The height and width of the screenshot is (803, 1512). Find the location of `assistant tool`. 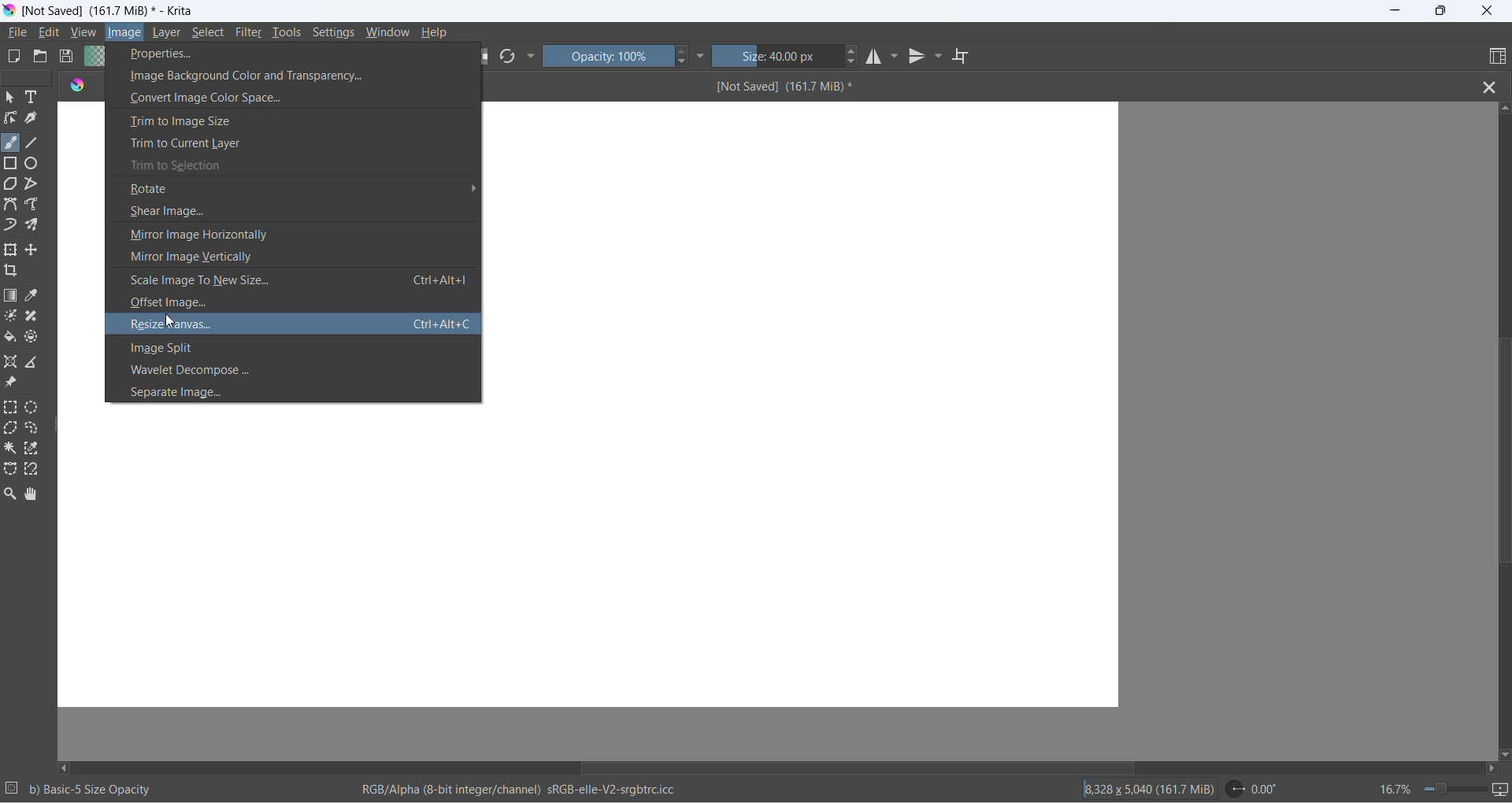

assistant tool is located at coordinates (13, 363).